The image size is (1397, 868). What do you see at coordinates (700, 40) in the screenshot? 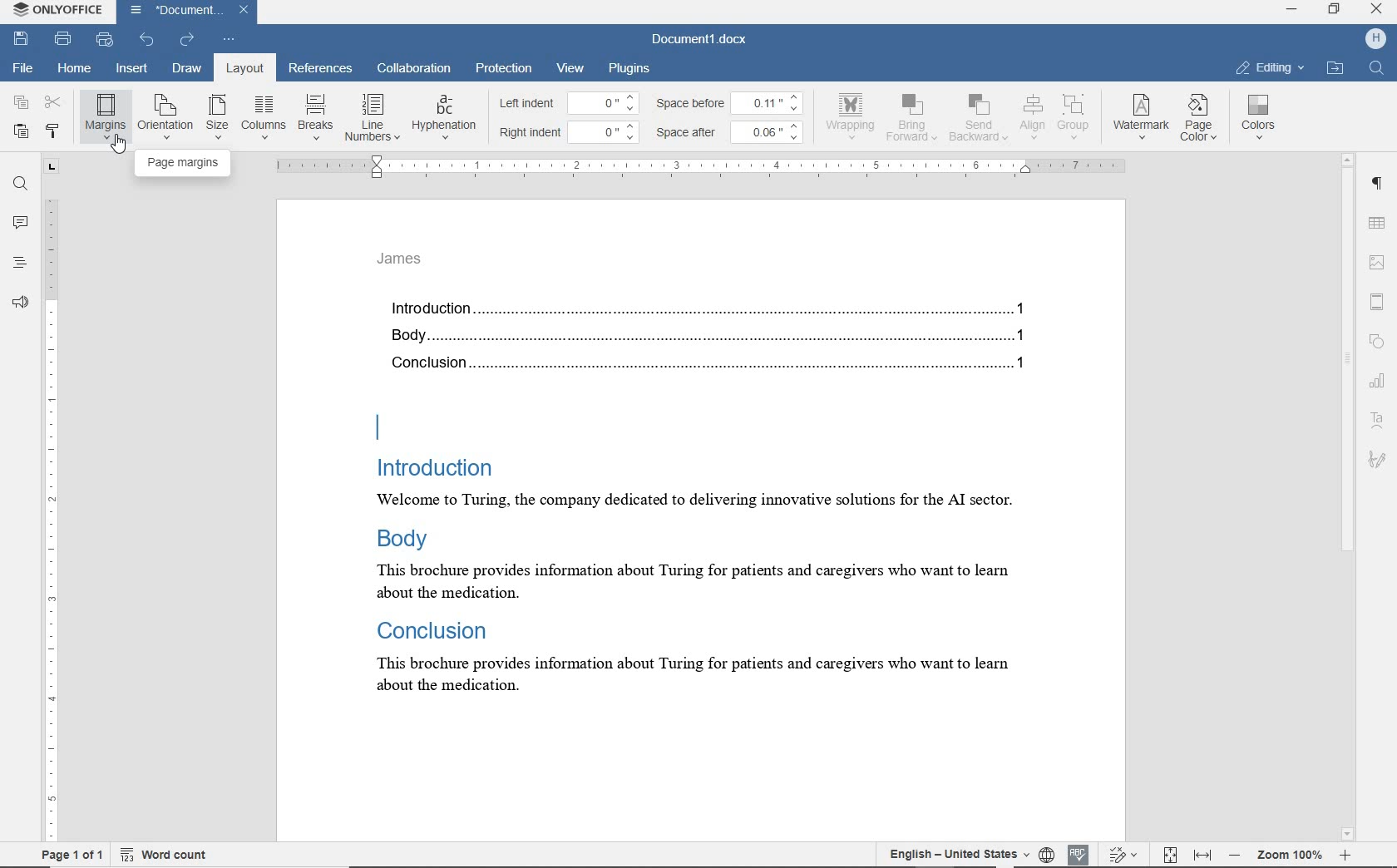
I see `document name` at bounding box center [700, 40].